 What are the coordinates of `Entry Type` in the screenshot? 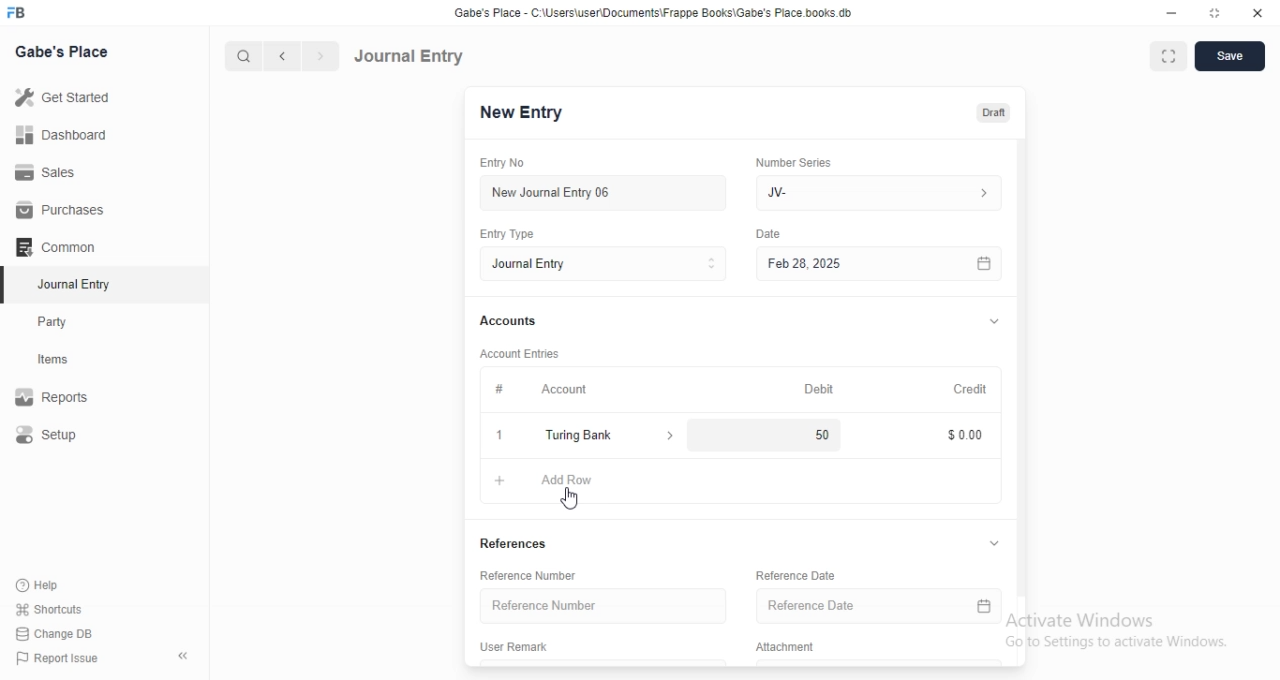 It's located at (514, 233).